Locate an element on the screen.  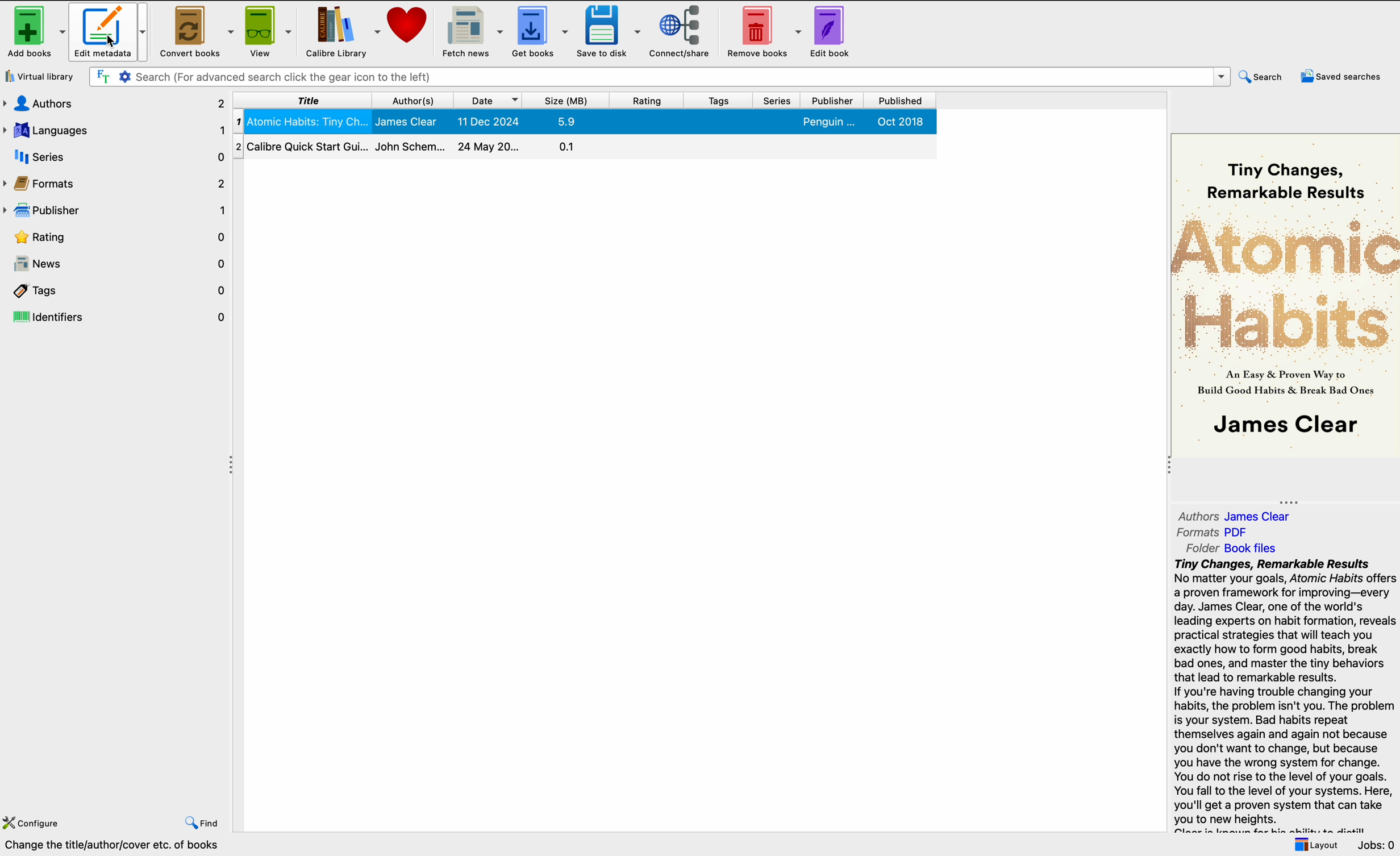
saved searches is located at coordinates (1343, 75).